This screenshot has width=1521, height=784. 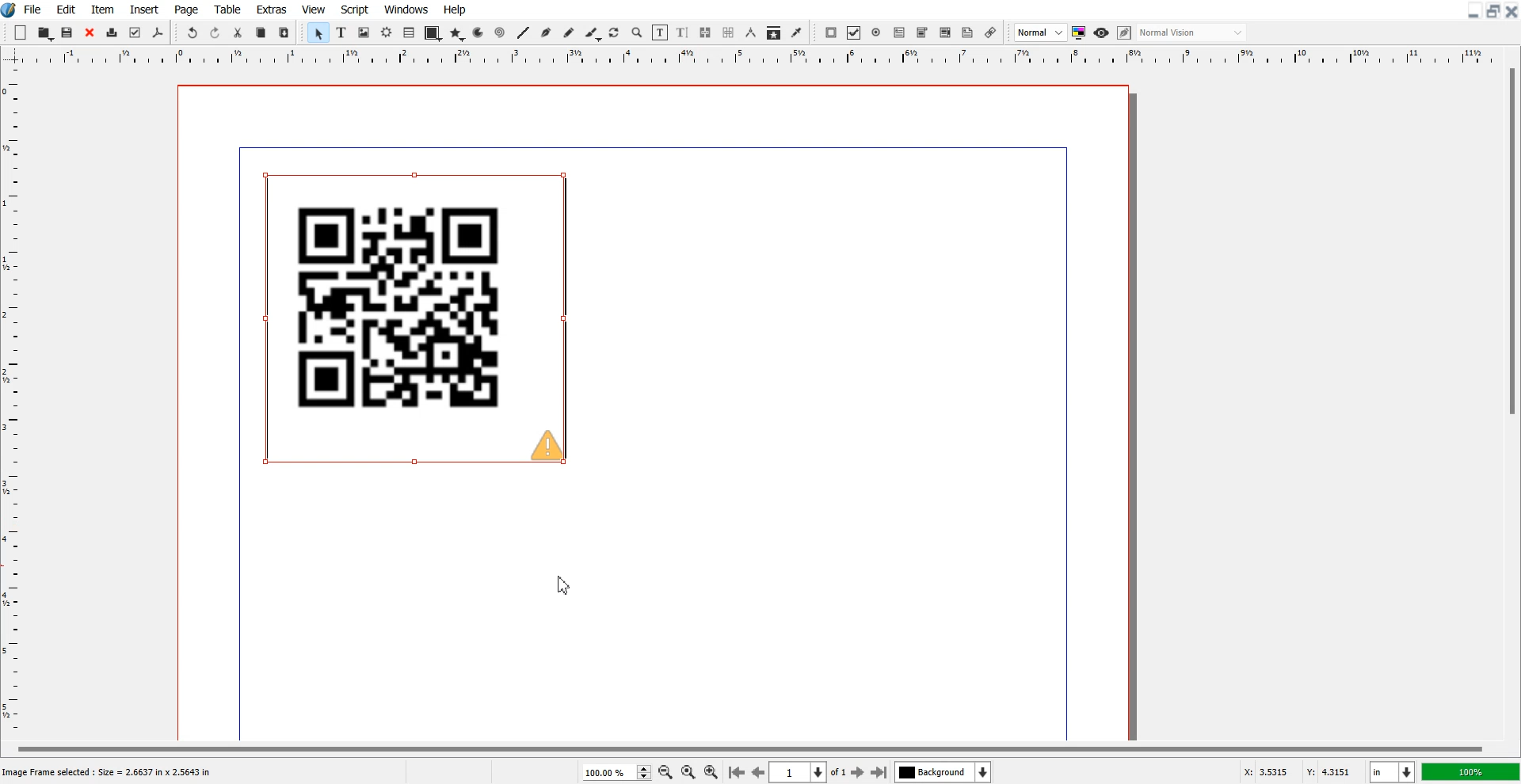 What do you see at coordinates (737, 771) in the screenshot?
I see `Go to First page` at bounding box center [737, 771].